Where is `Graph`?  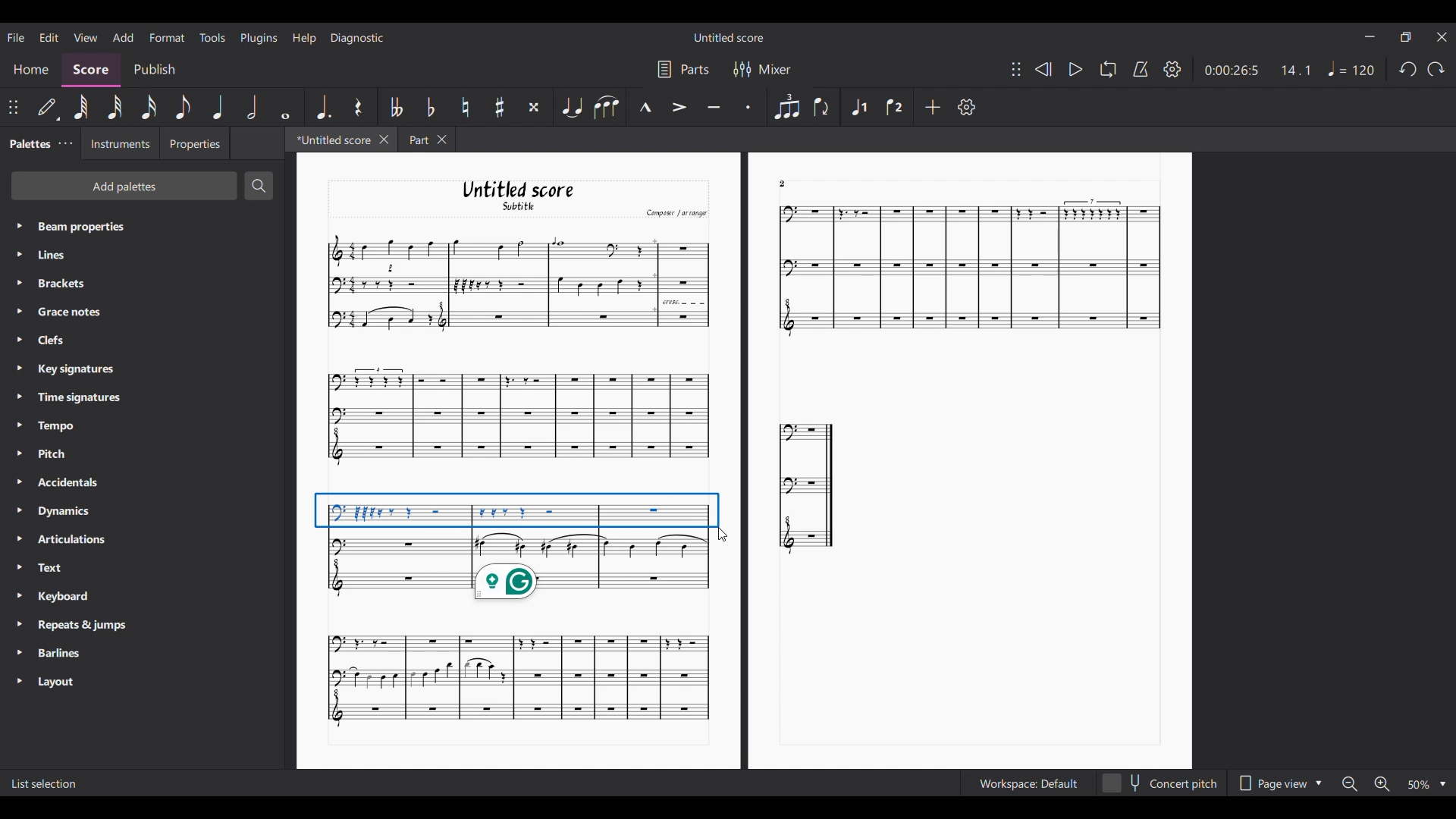
Graph is located at coordinates (516, 283).